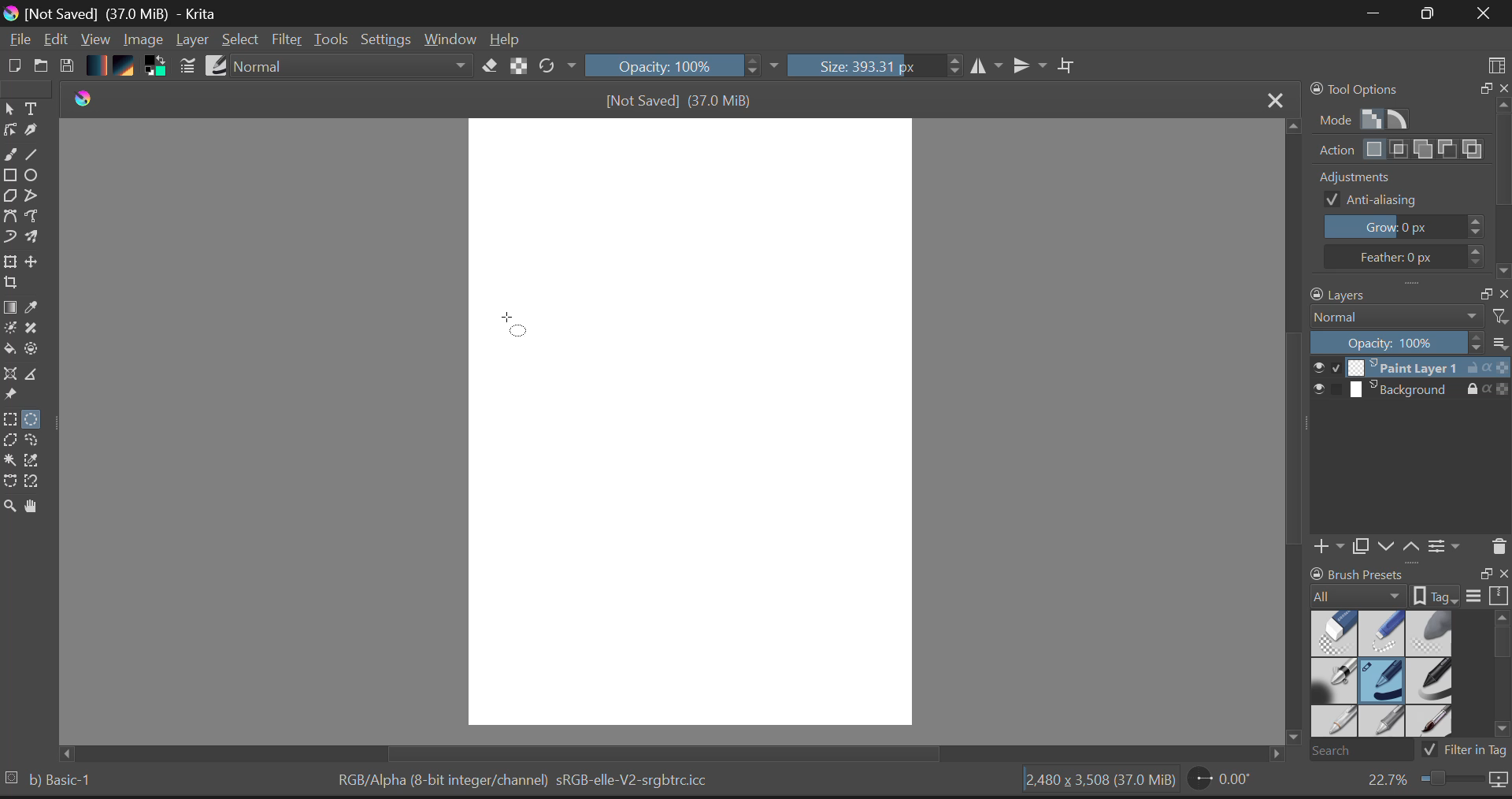  What do you see at coordinates (10, 309) in the screenshot?
I see `Gradient Fill` at bounding box center [10, 309].